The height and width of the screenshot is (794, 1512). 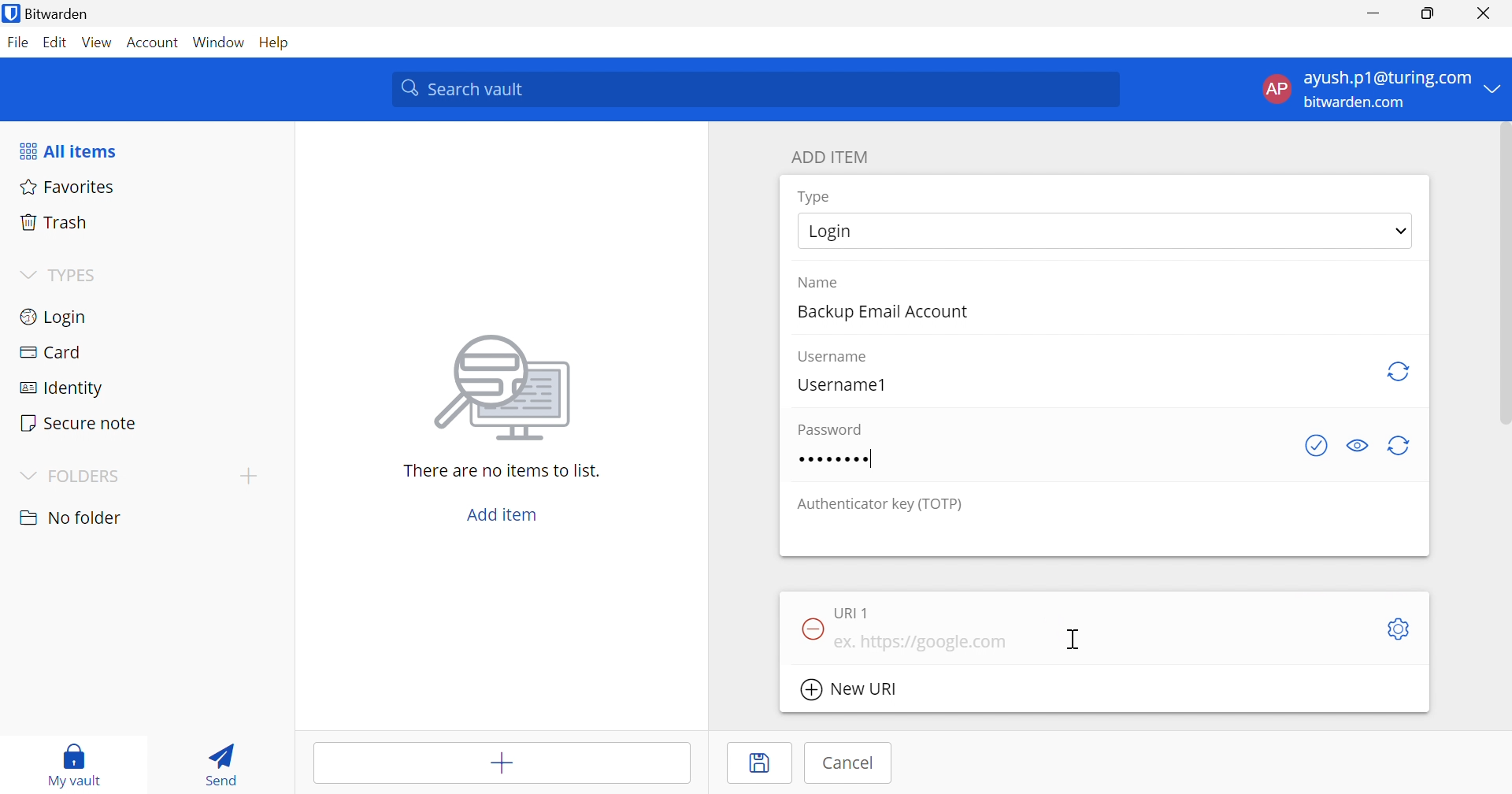 I want to click on Drop Down, so click(x=28, y=275).